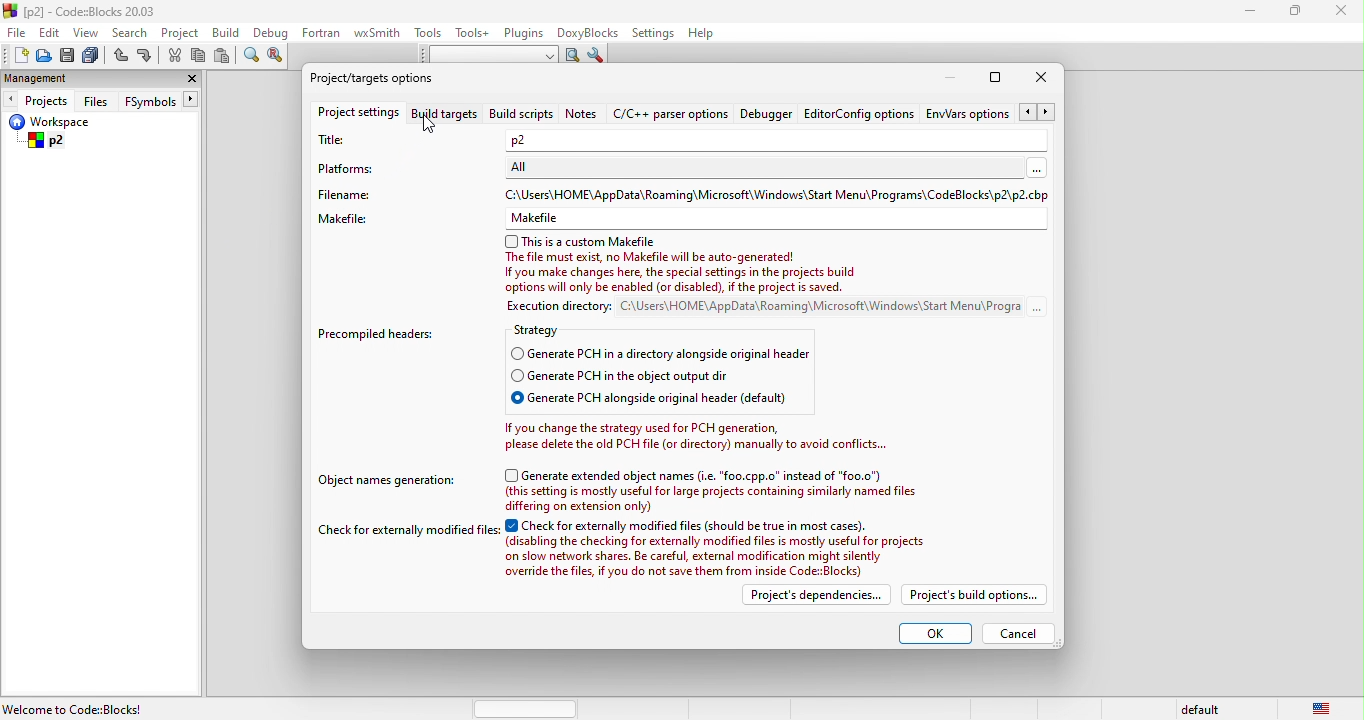 This screenshot has width=1364, height=720. What do you see at coordinates (357, 115) in the screenshot?
I see `project settings` at bounding box center [357, 115].